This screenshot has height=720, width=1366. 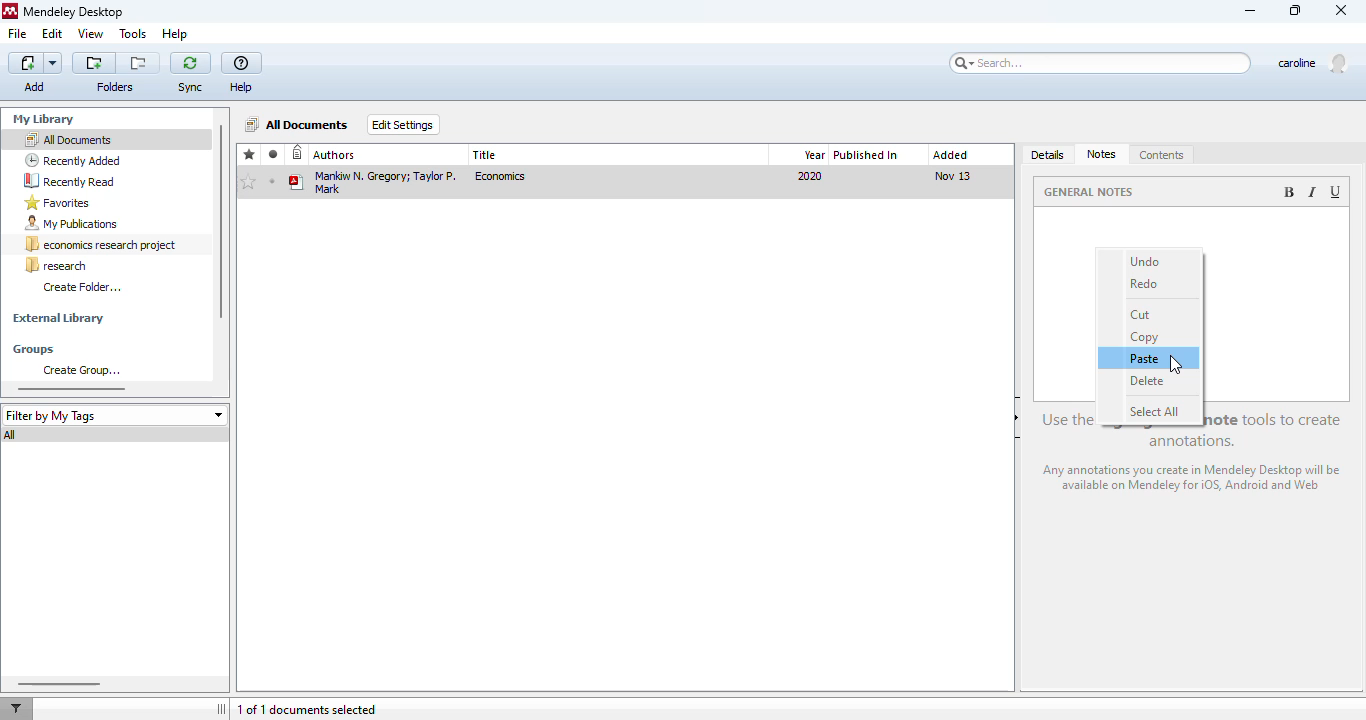 What do you see at coordinates (56, 265) in the screenshot?
I see `research` at bounding box center [56, 265].